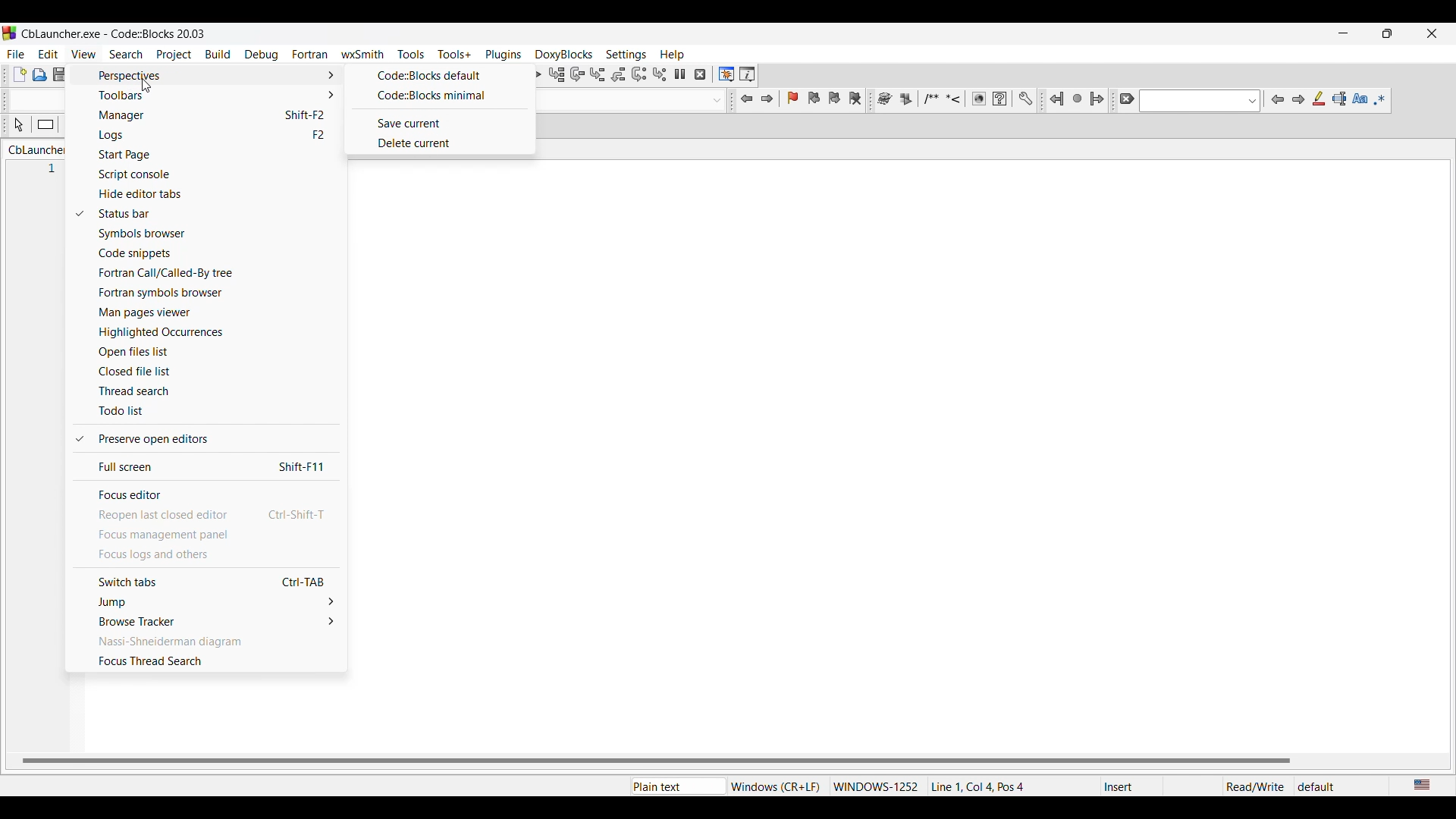  Describe the element at coordinates (59, 171) in the screenshot. I see `1` at that location.